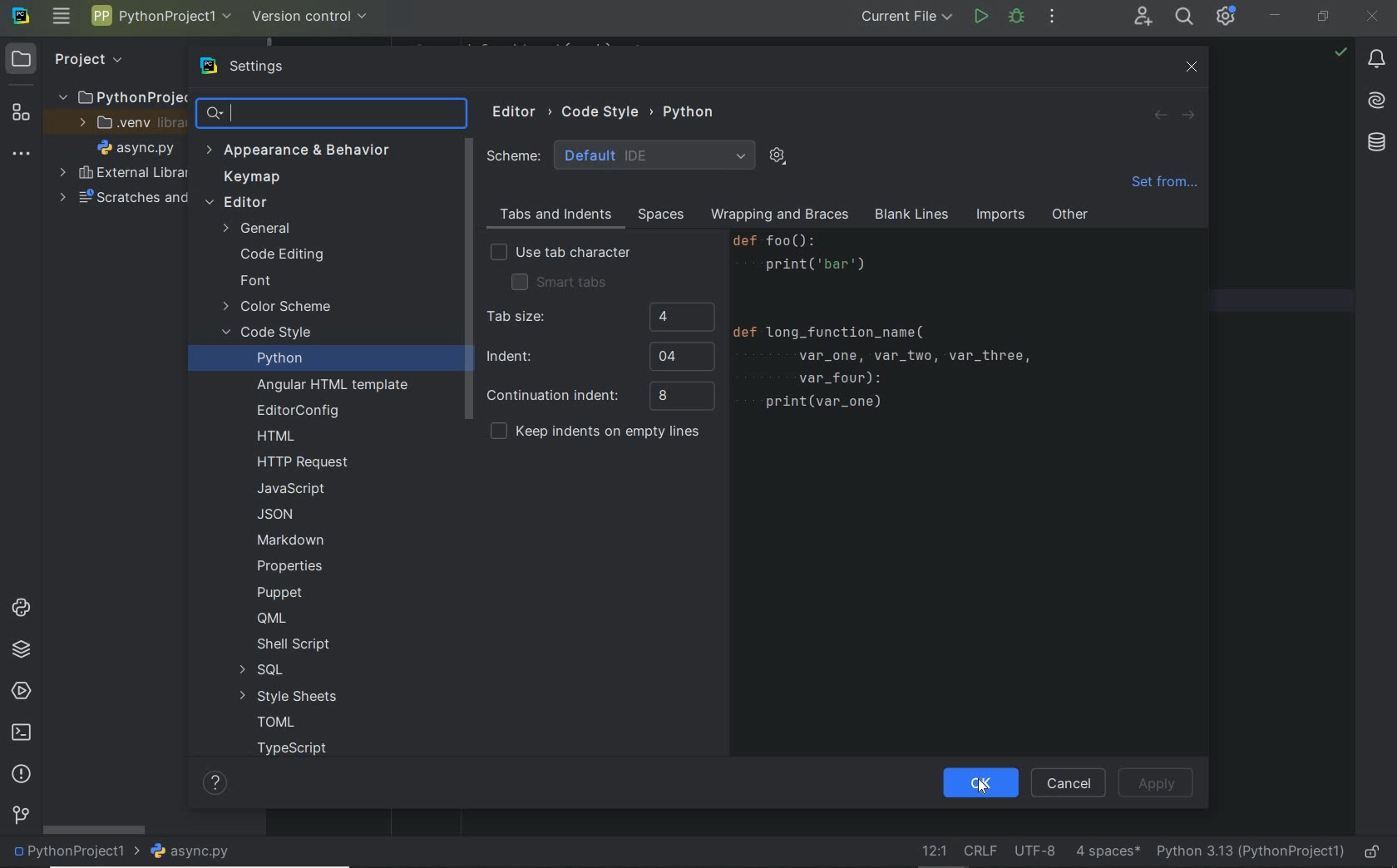 The image size is (1397, 868). Describe the element at coordinates (1375, 853) in the screenshot. I see `make file ready only` at that location.